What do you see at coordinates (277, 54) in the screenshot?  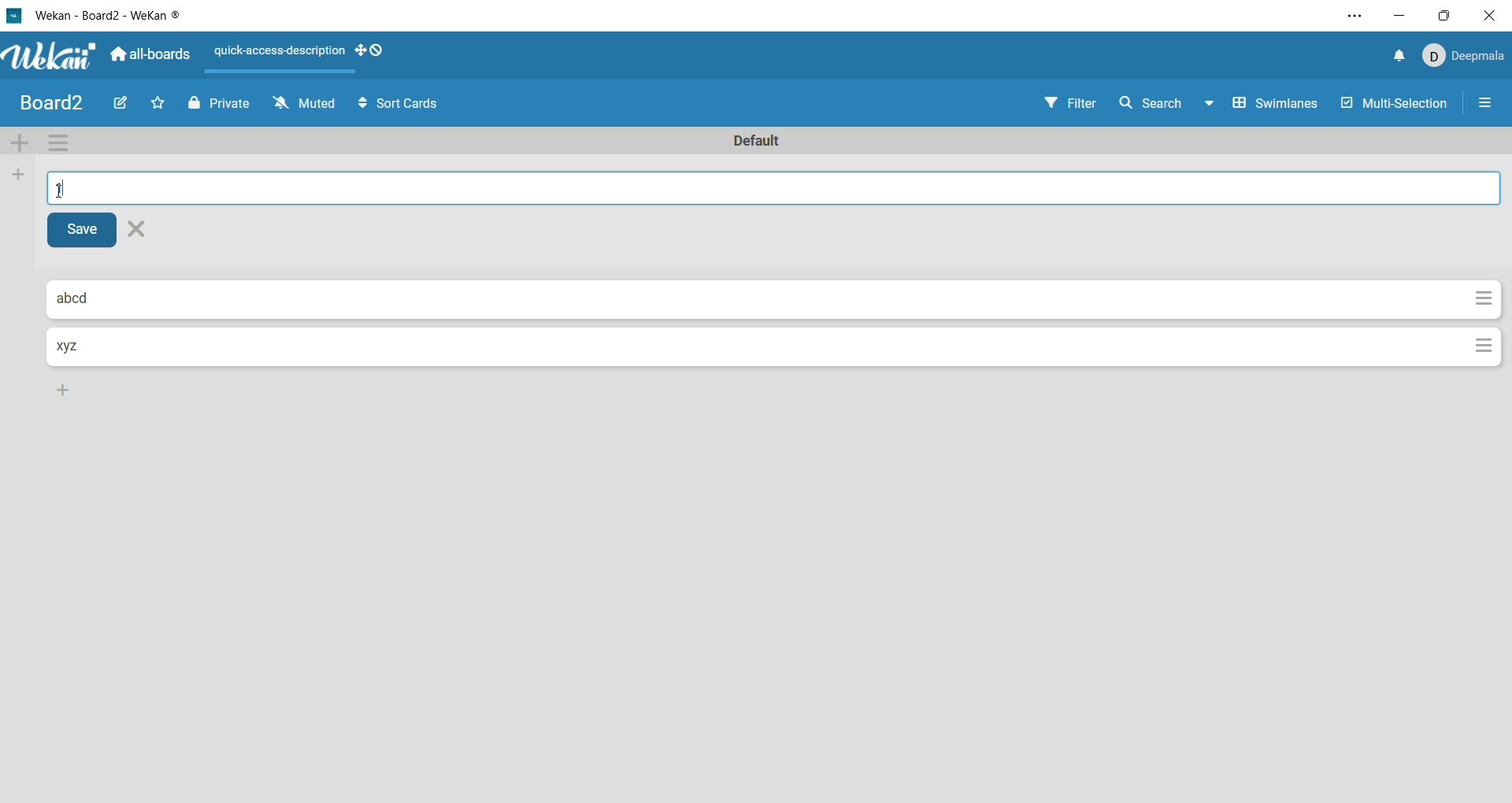 I see `text` at bounding box center [277, 54].